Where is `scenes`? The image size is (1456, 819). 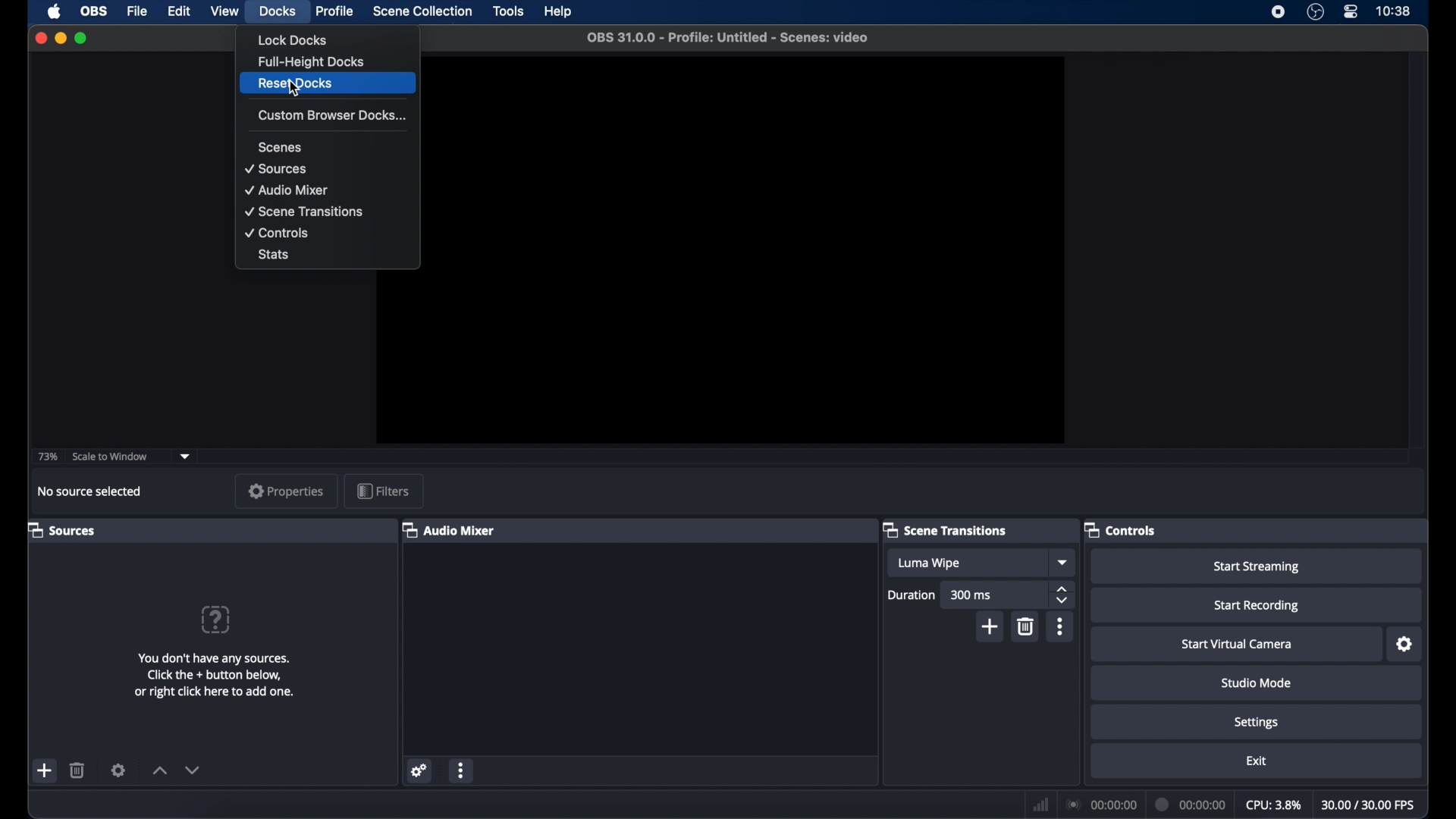
scenes is located at coordinates (281, 146).